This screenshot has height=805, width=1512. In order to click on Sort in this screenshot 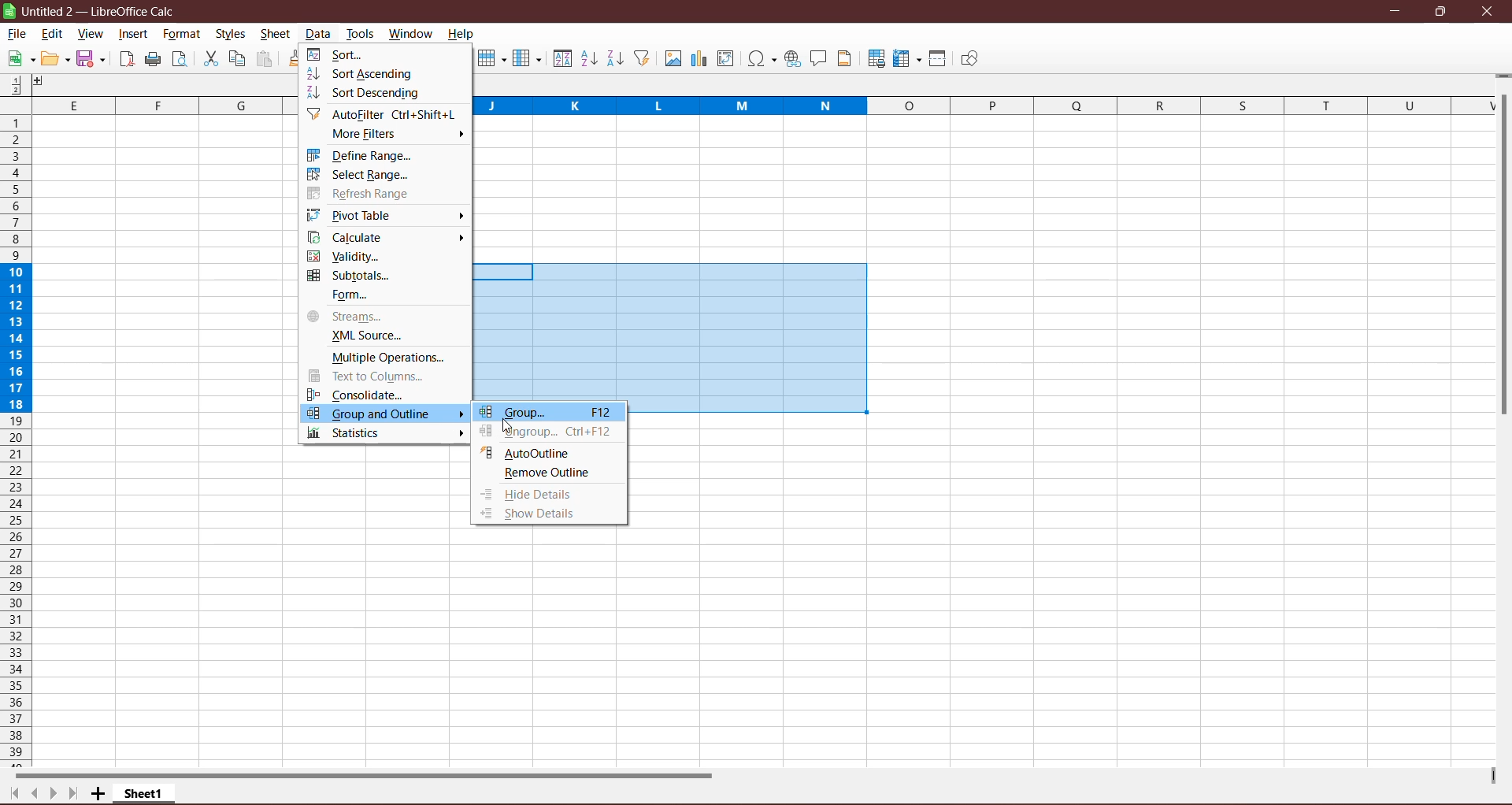, I will do `click(339, 54)`.